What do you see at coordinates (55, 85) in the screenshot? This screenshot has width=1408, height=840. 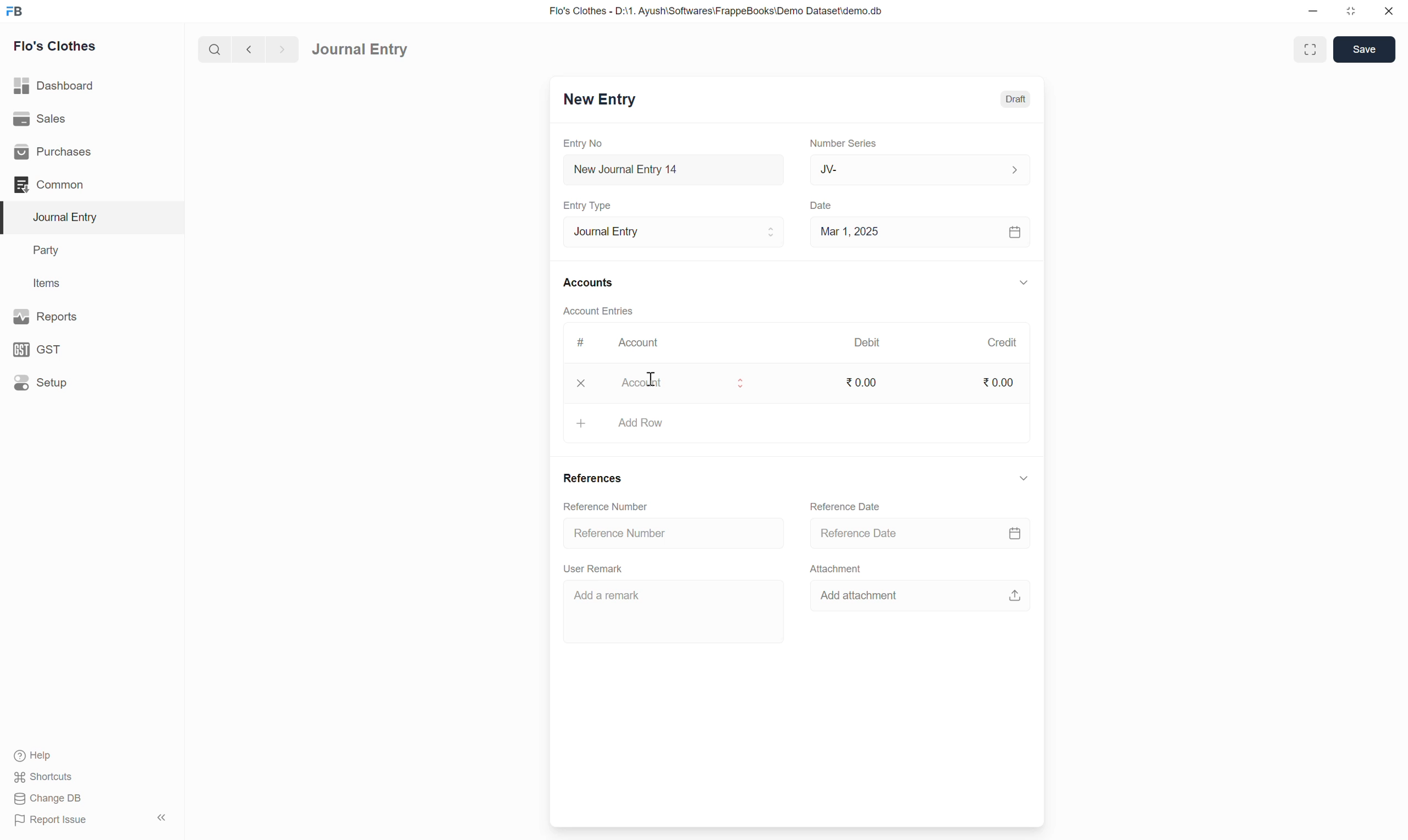 I see `Dashboard` at bounding box center [55, 85].